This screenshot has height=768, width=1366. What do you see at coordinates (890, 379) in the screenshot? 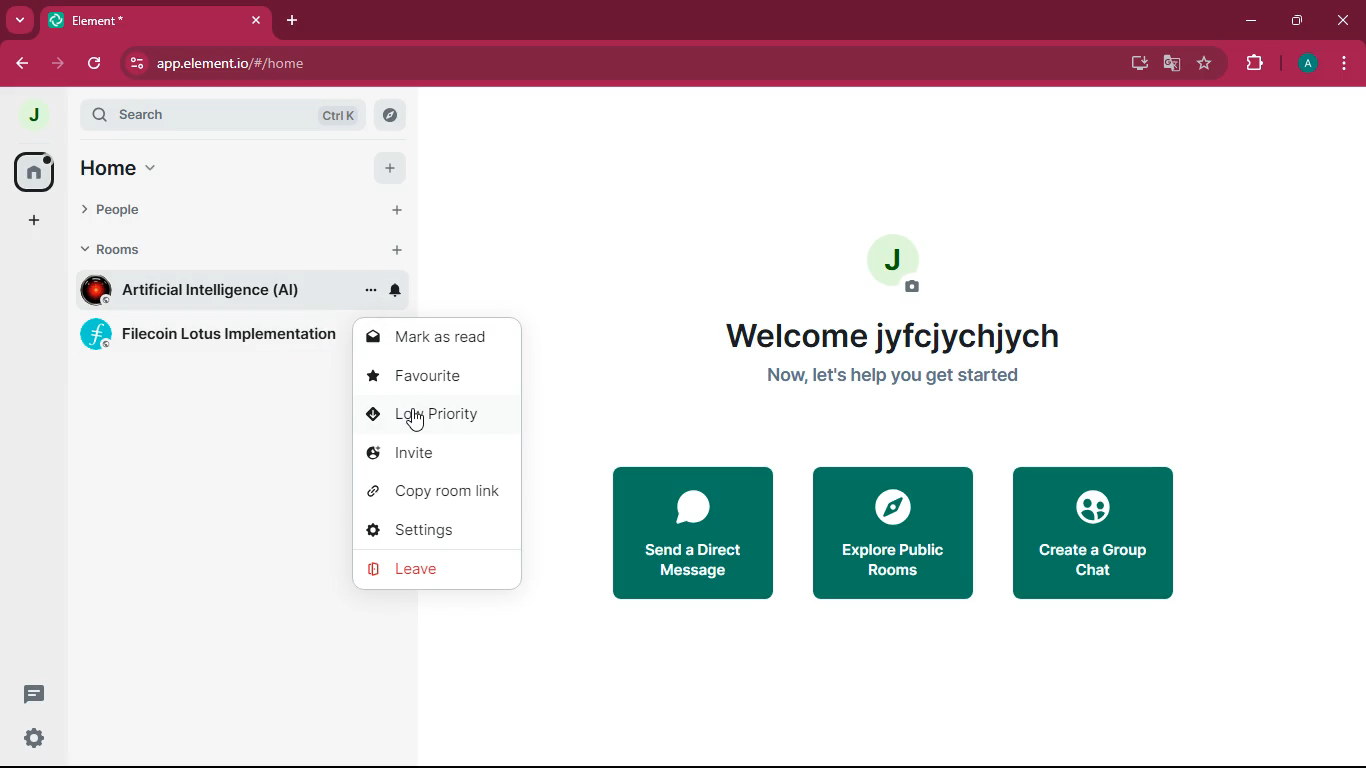
I see `get started` at bounding box center [890, 379].